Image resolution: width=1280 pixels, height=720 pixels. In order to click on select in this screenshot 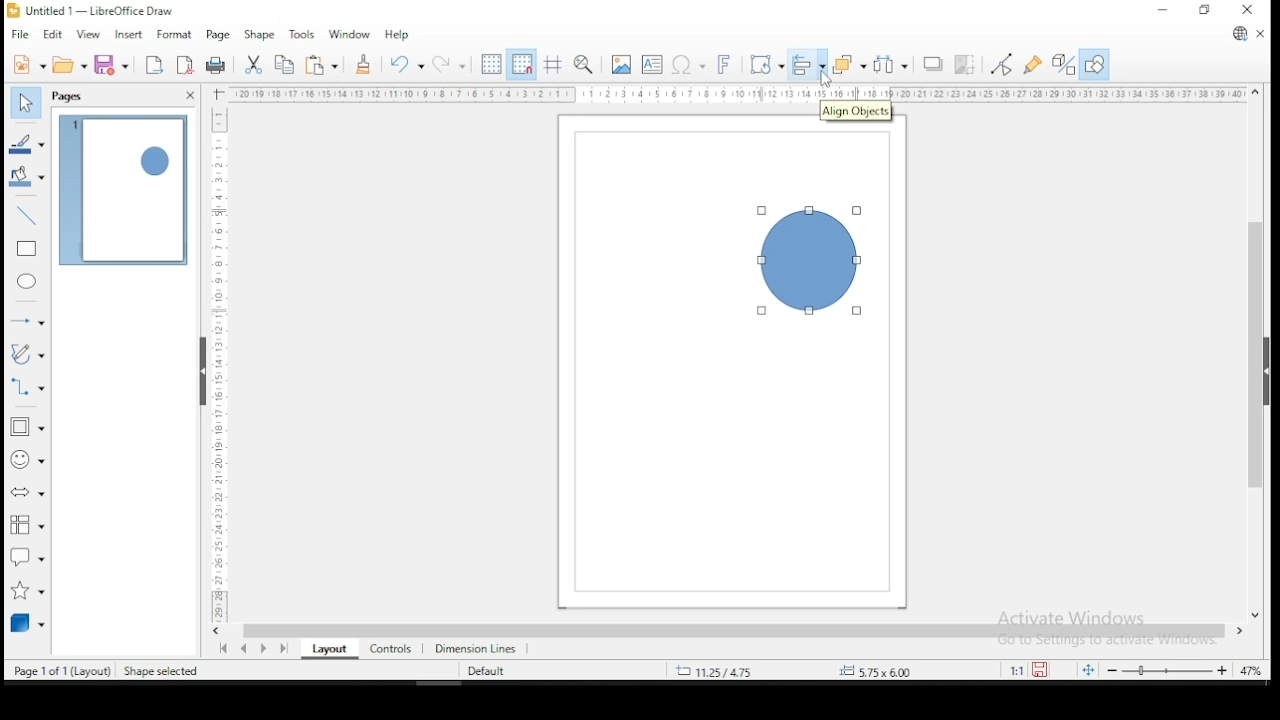, I will do `click(24, 100)`.